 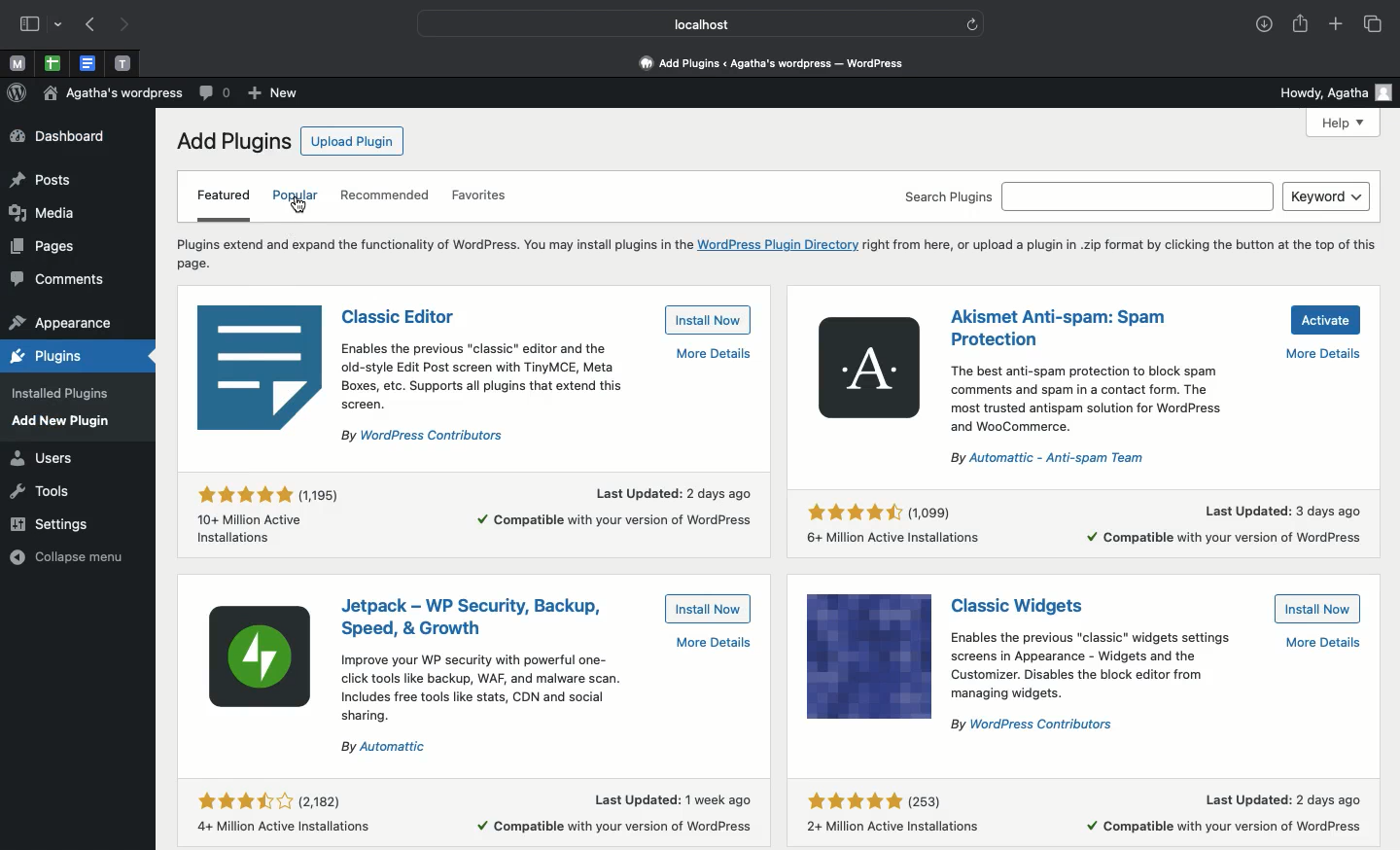 I want to click on settings, so click(x=50, y=523).